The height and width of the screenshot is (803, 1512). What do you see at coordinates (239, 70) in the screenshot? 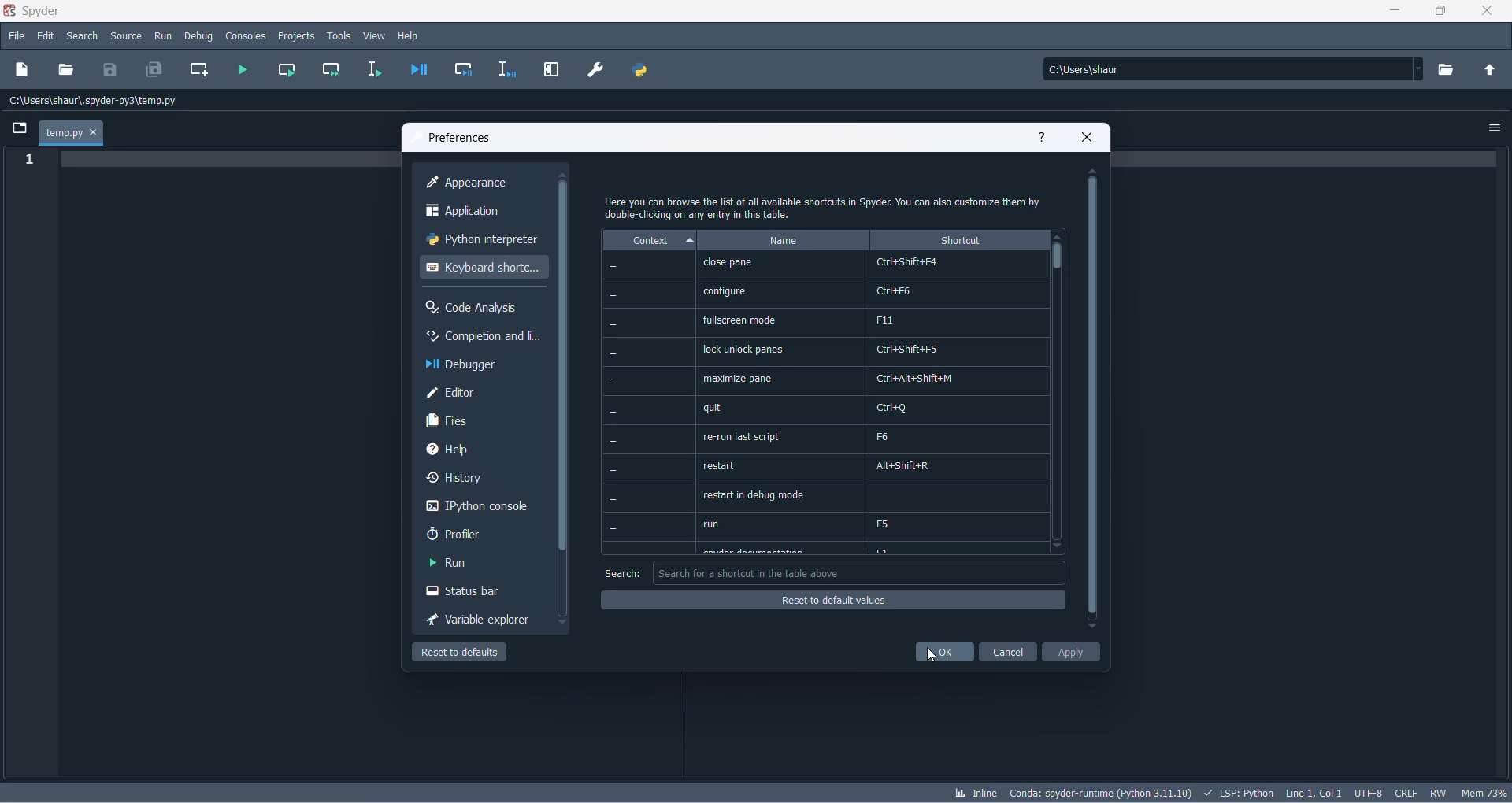
I see `run file` at bounding box center [239, 70].